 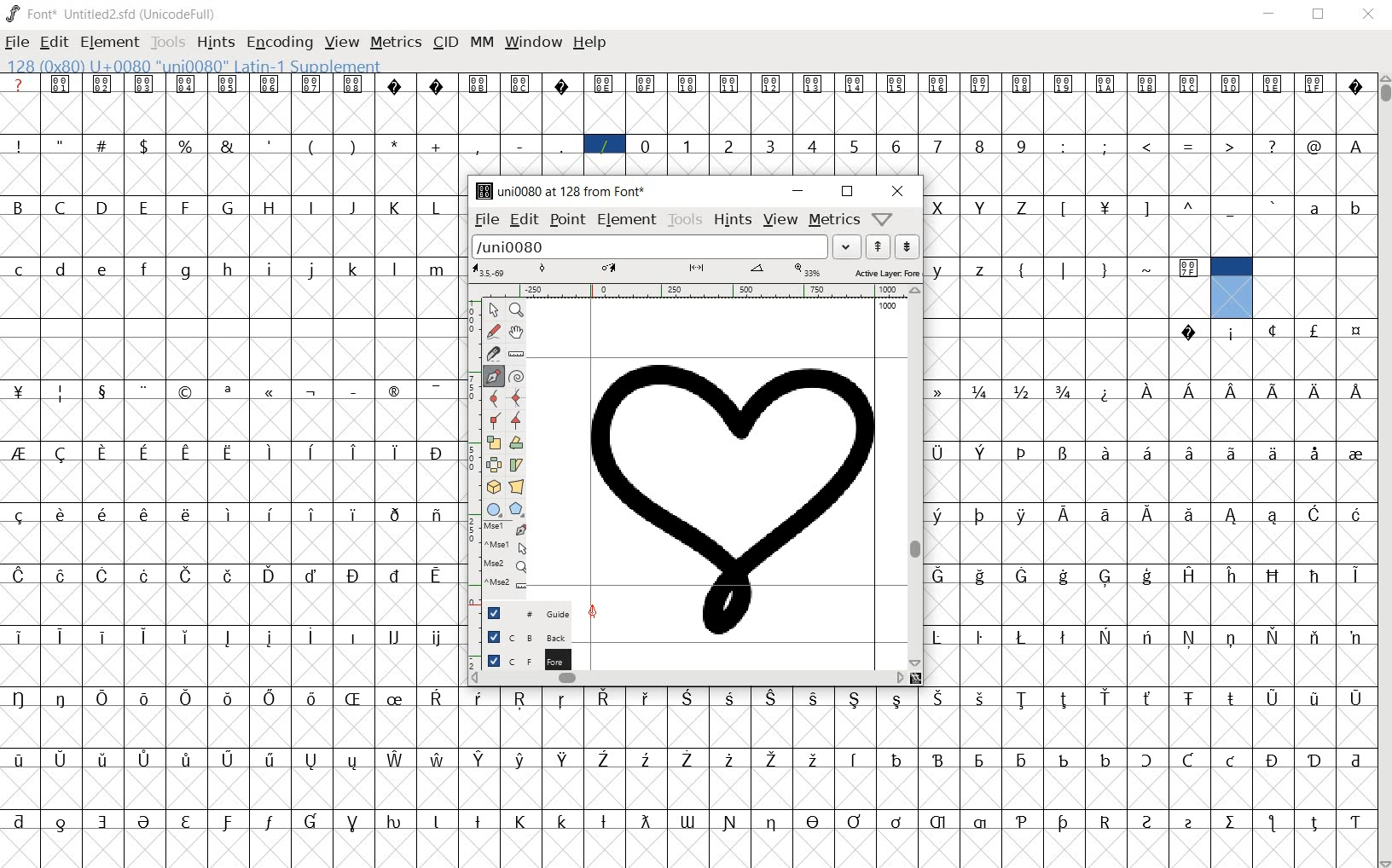 What do you see at coordinates (352, 146) in the screenshot?
I see `glyph` at bounding box center [352, 146].